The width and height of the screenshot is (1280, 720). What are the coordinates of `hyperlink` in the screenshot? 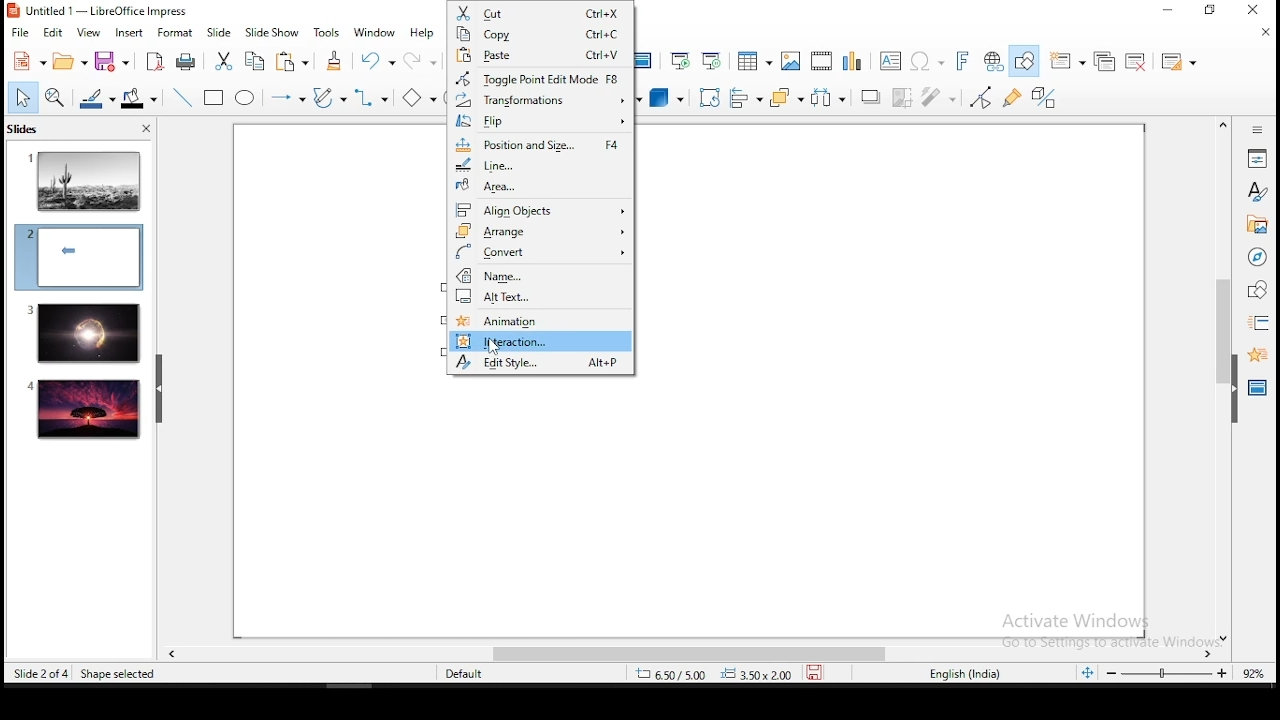 It's located at (994, 62).